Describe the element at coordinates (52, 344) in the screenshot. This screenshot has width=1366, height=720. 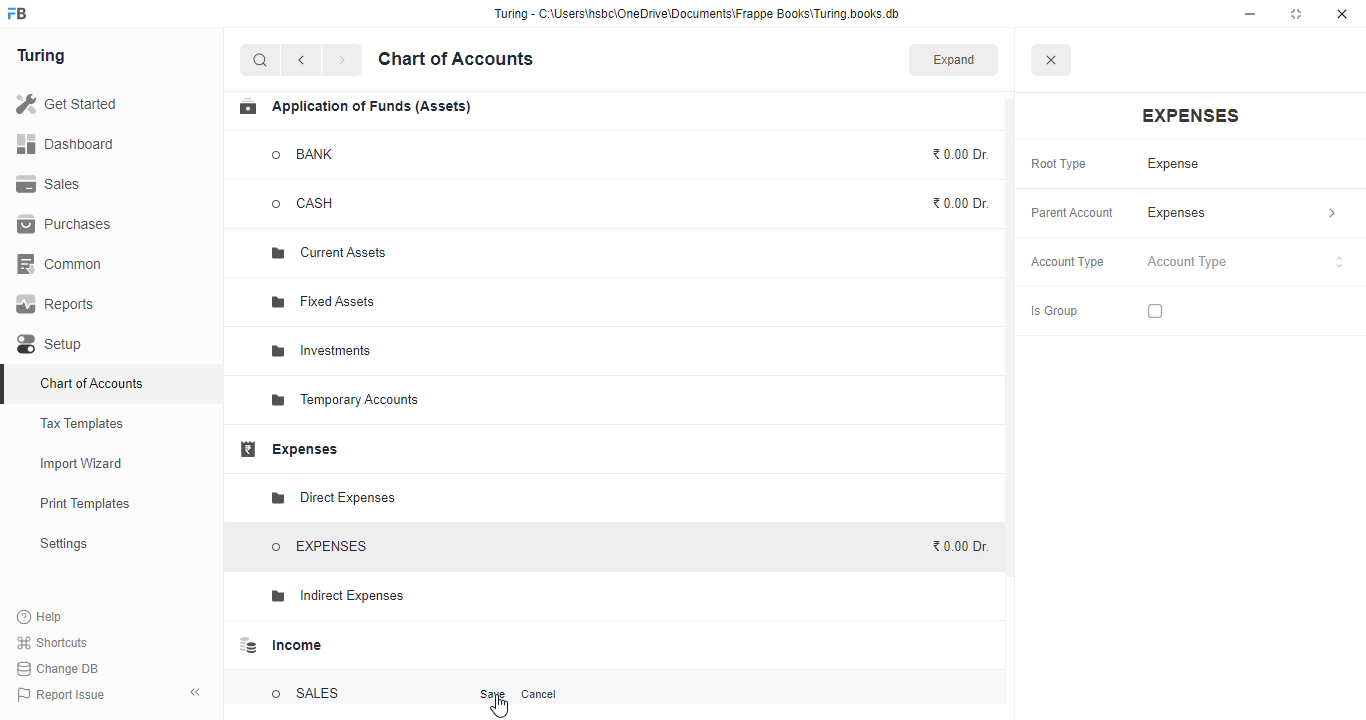
I see `setup` at that location.